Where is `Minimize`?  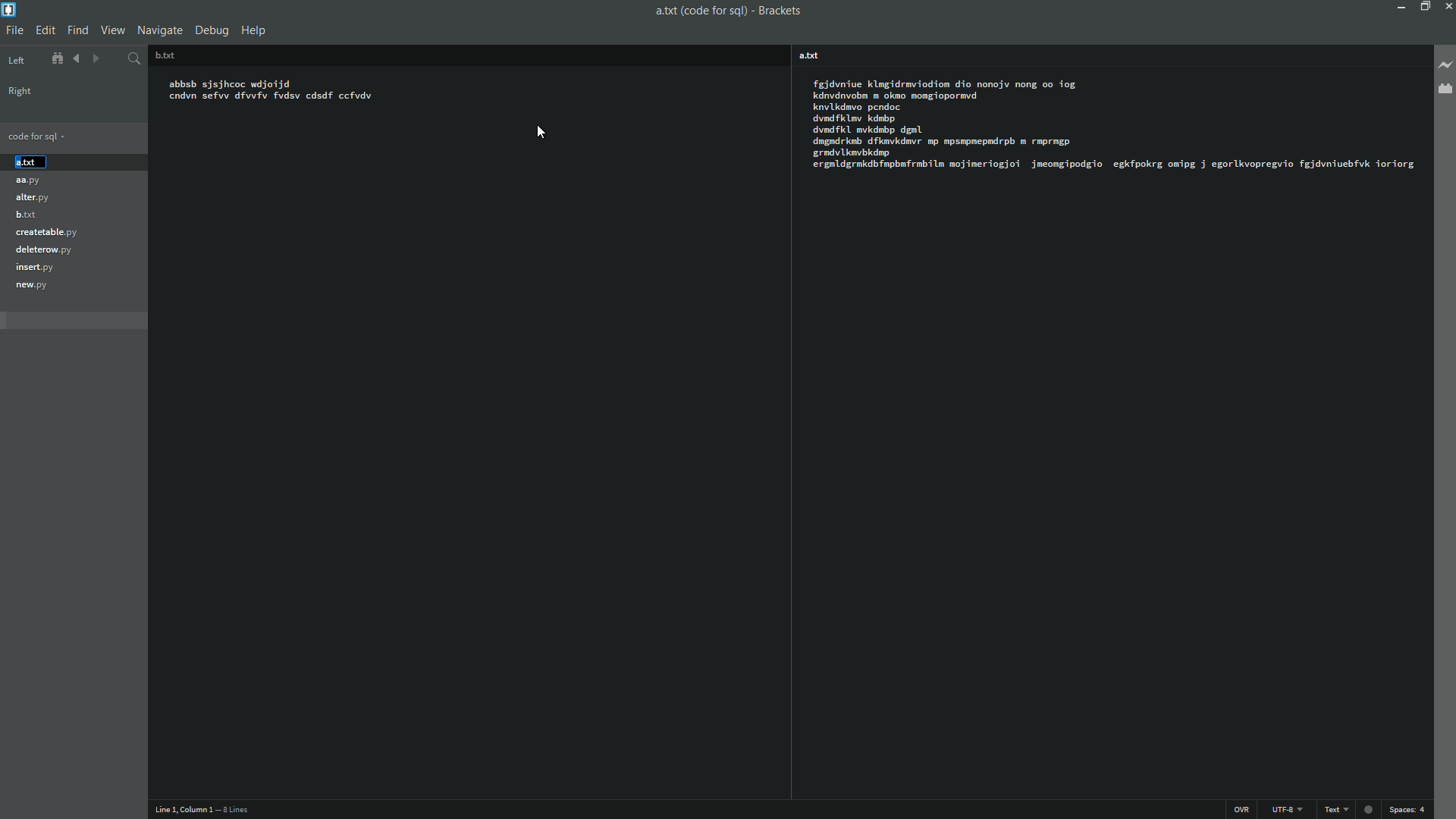 Minimize is located at coordinates (1398, 6).